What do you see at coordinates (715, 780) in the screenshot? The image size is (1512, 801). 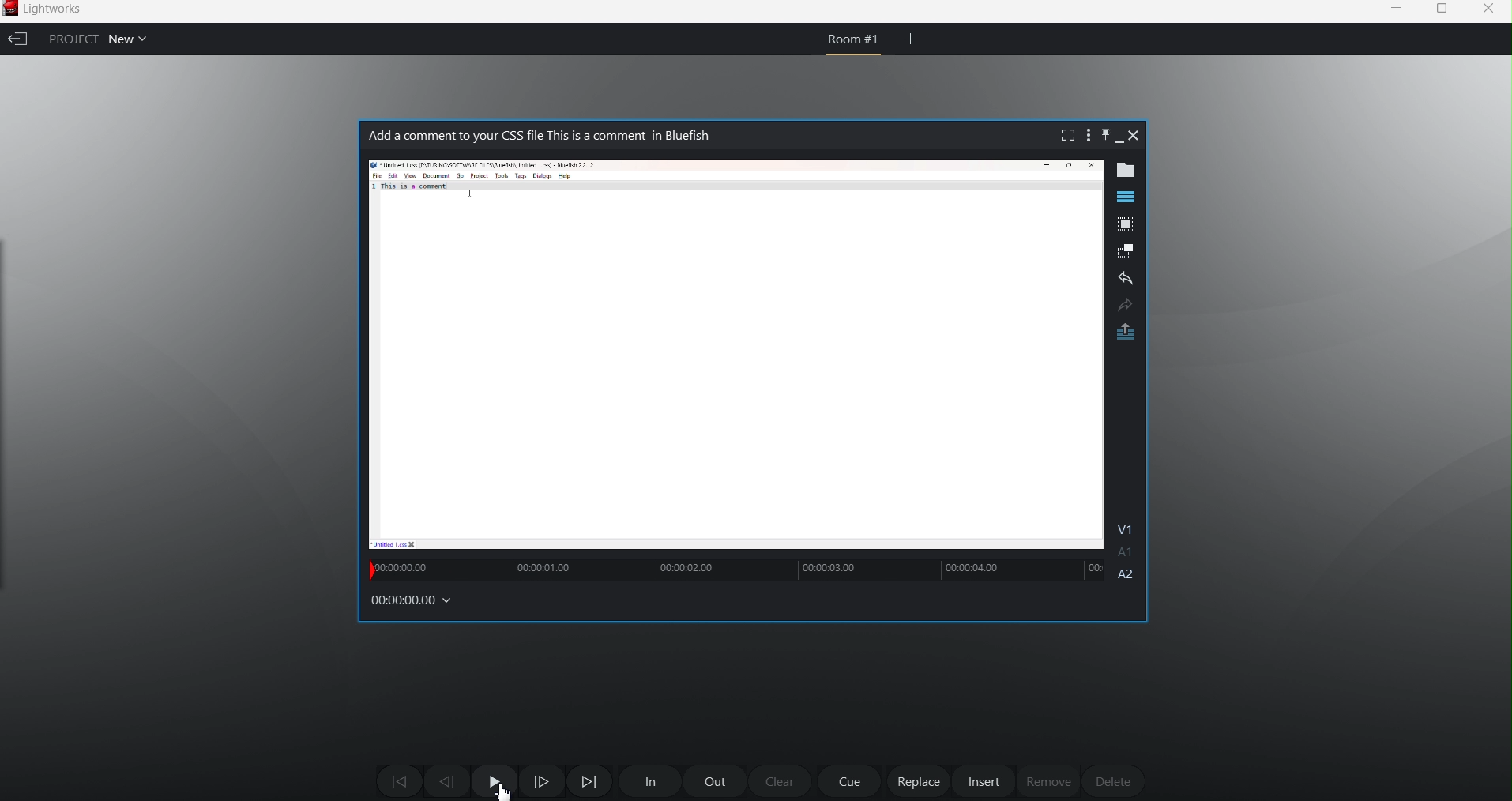 I see `out` at bounding box center [715, 780].